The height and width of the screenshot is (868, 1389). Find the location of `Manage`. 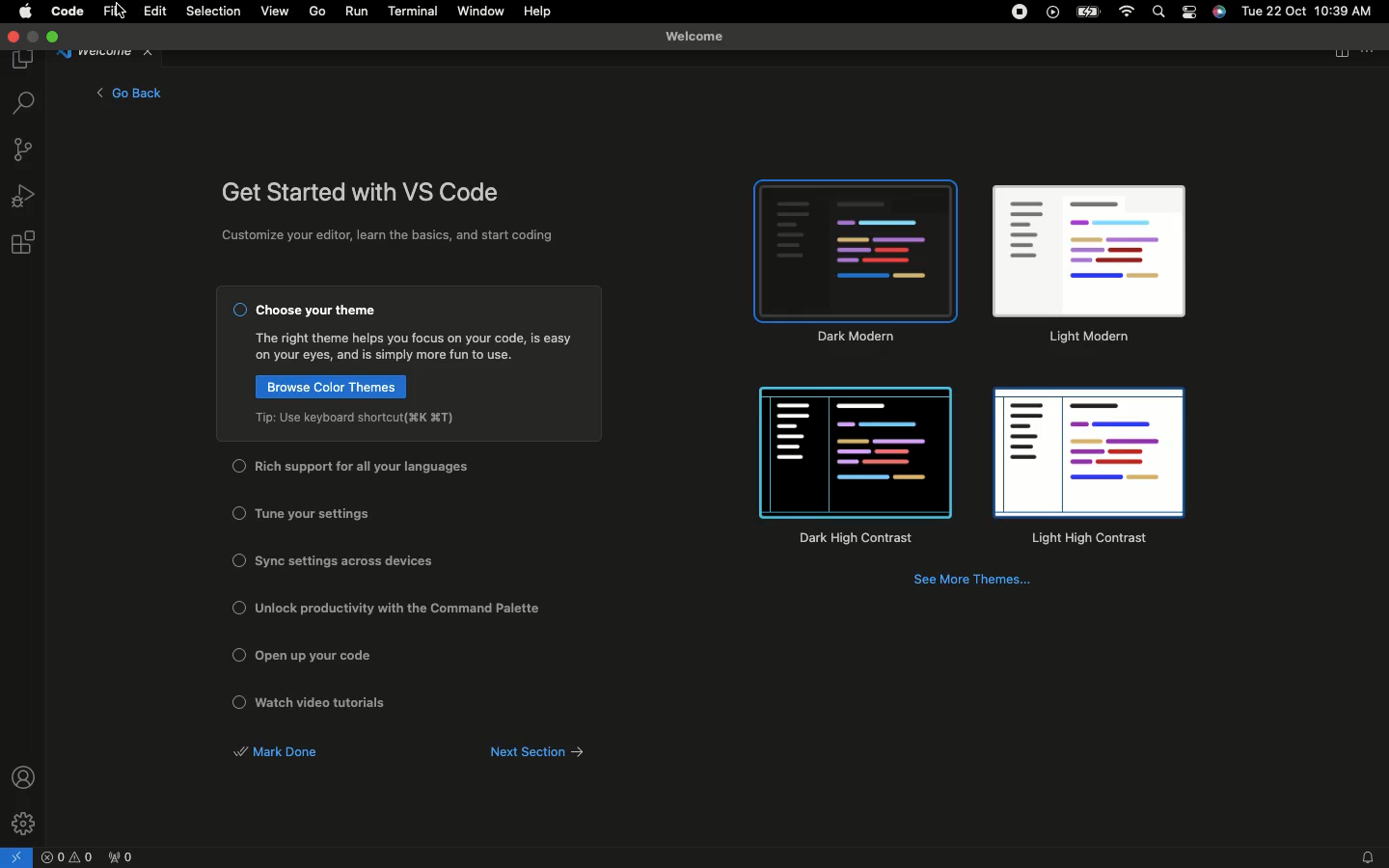

Manage is located at coordinates (25, 822).